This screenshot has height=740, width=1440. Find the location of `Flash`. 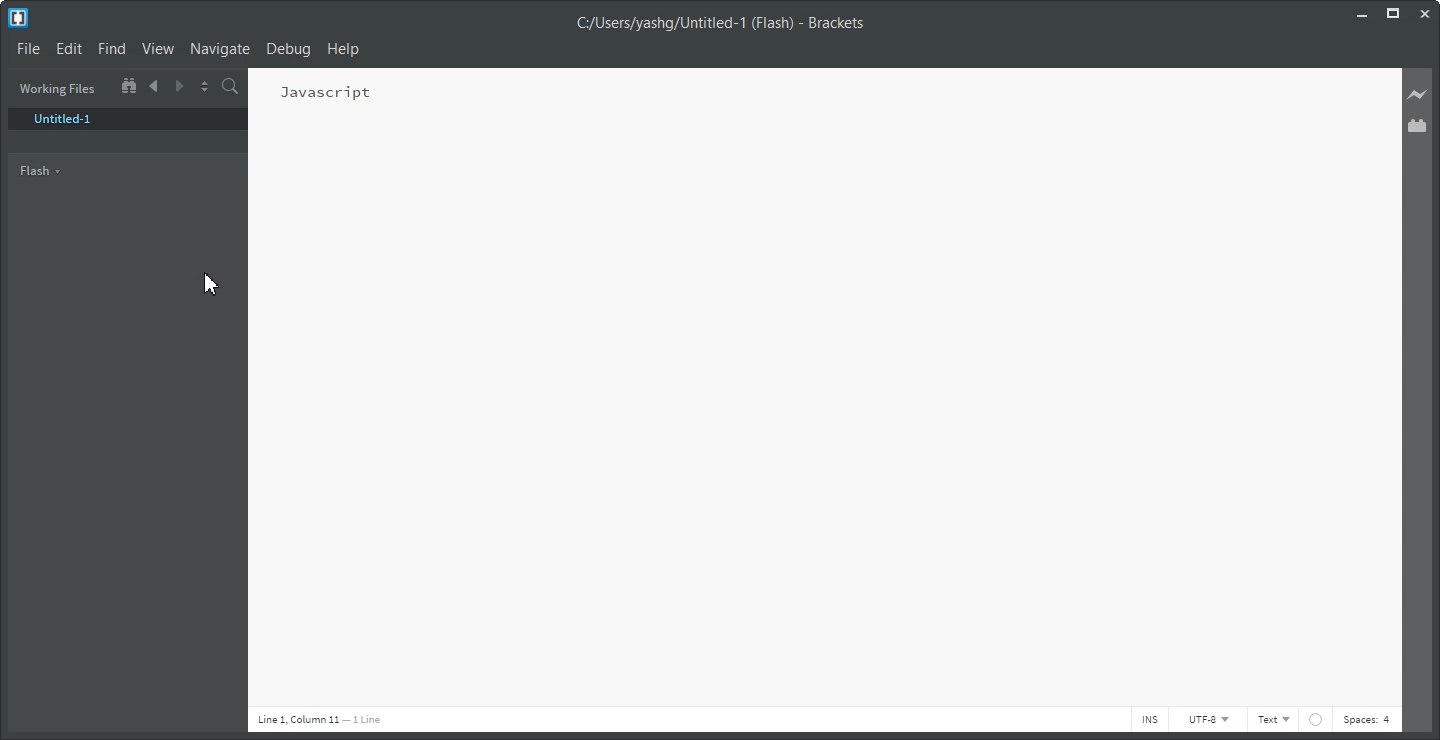

Flash is located at coordinates (37, 169).